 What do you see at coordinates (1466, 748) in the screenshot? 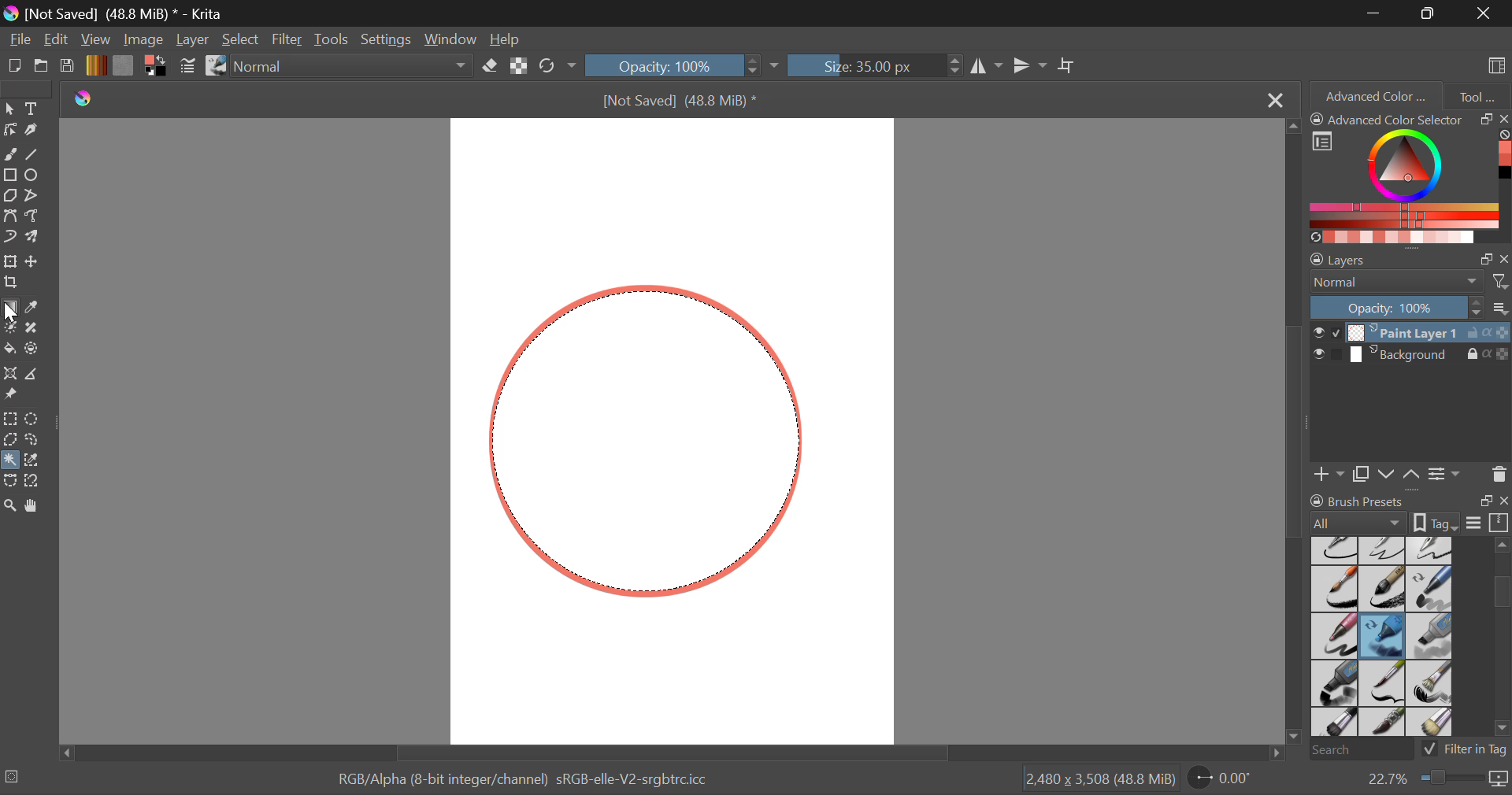
I see `Filter in Tag` at bounding box center [1466, 748].